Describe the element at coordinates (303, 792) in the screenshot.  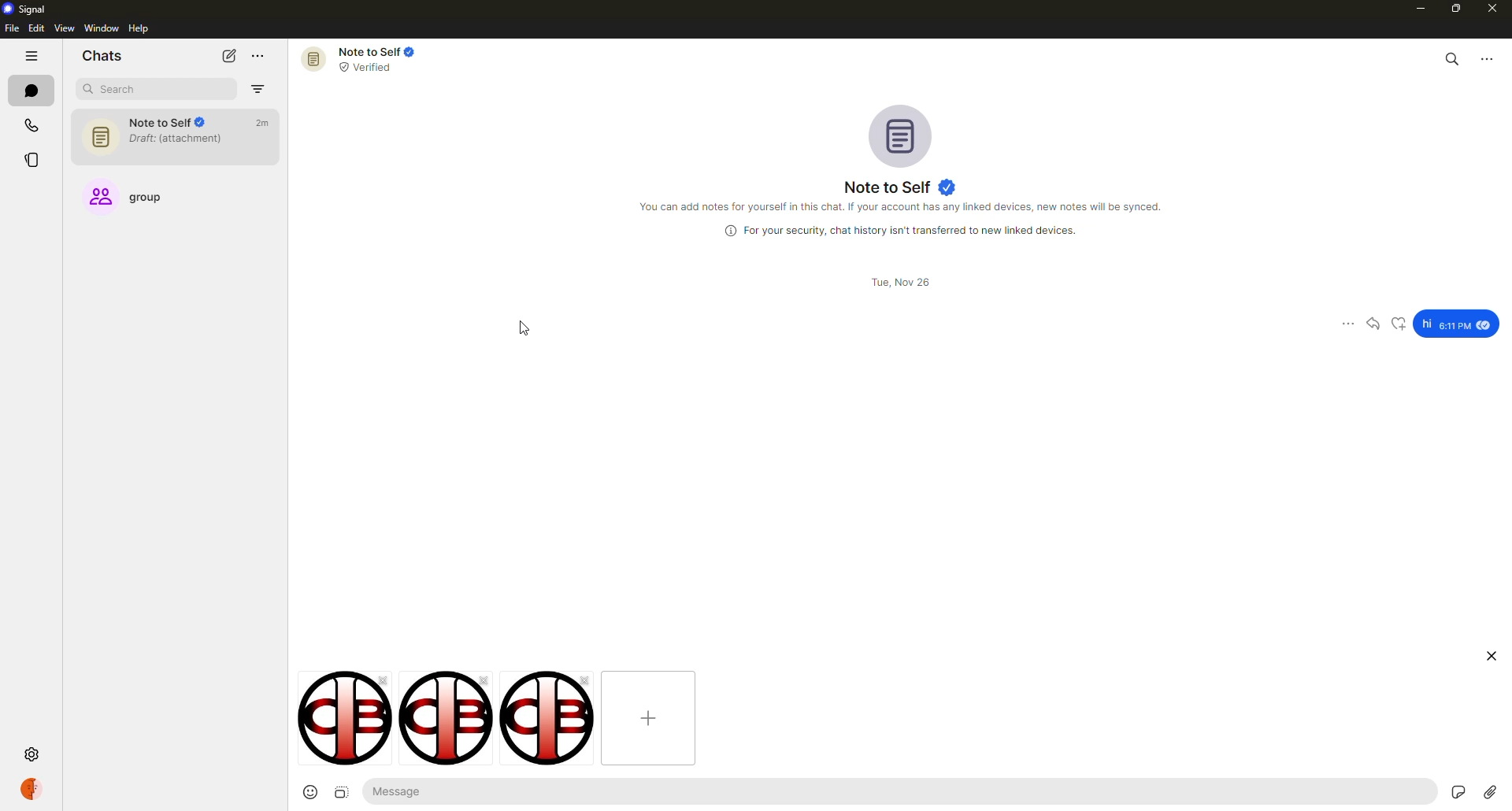
I see `emoji` at that location.